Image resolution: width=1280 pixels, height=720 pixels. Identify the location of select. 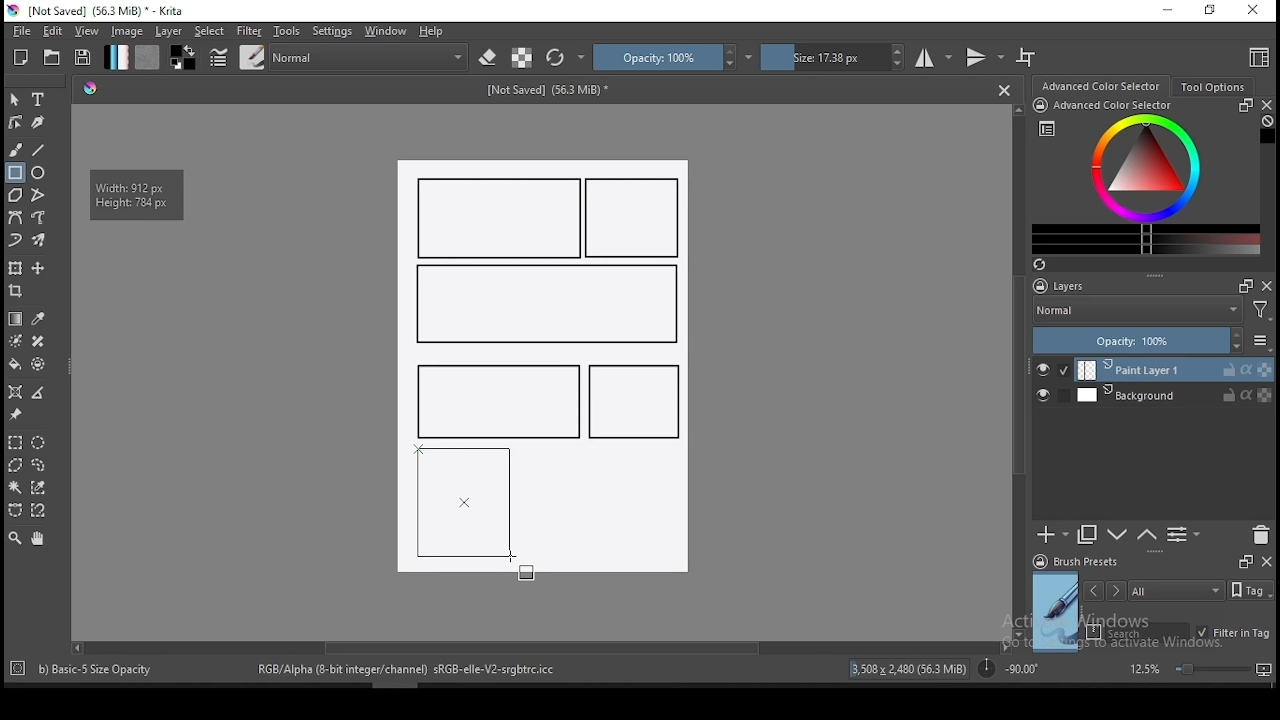
(210, 31).